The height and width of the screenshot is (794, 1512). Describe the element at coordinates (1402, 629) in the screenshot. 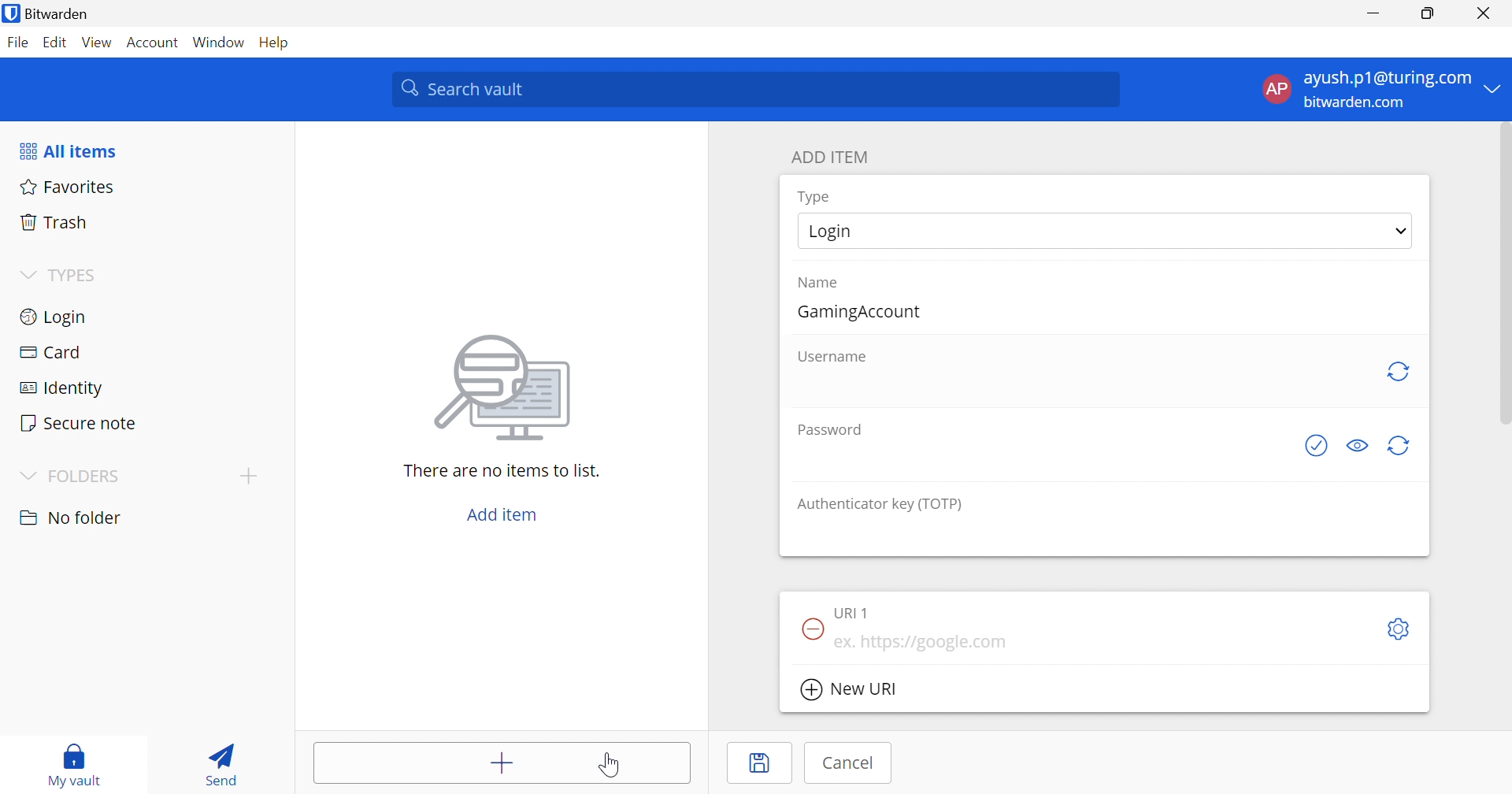

I see `Settings` at that location.